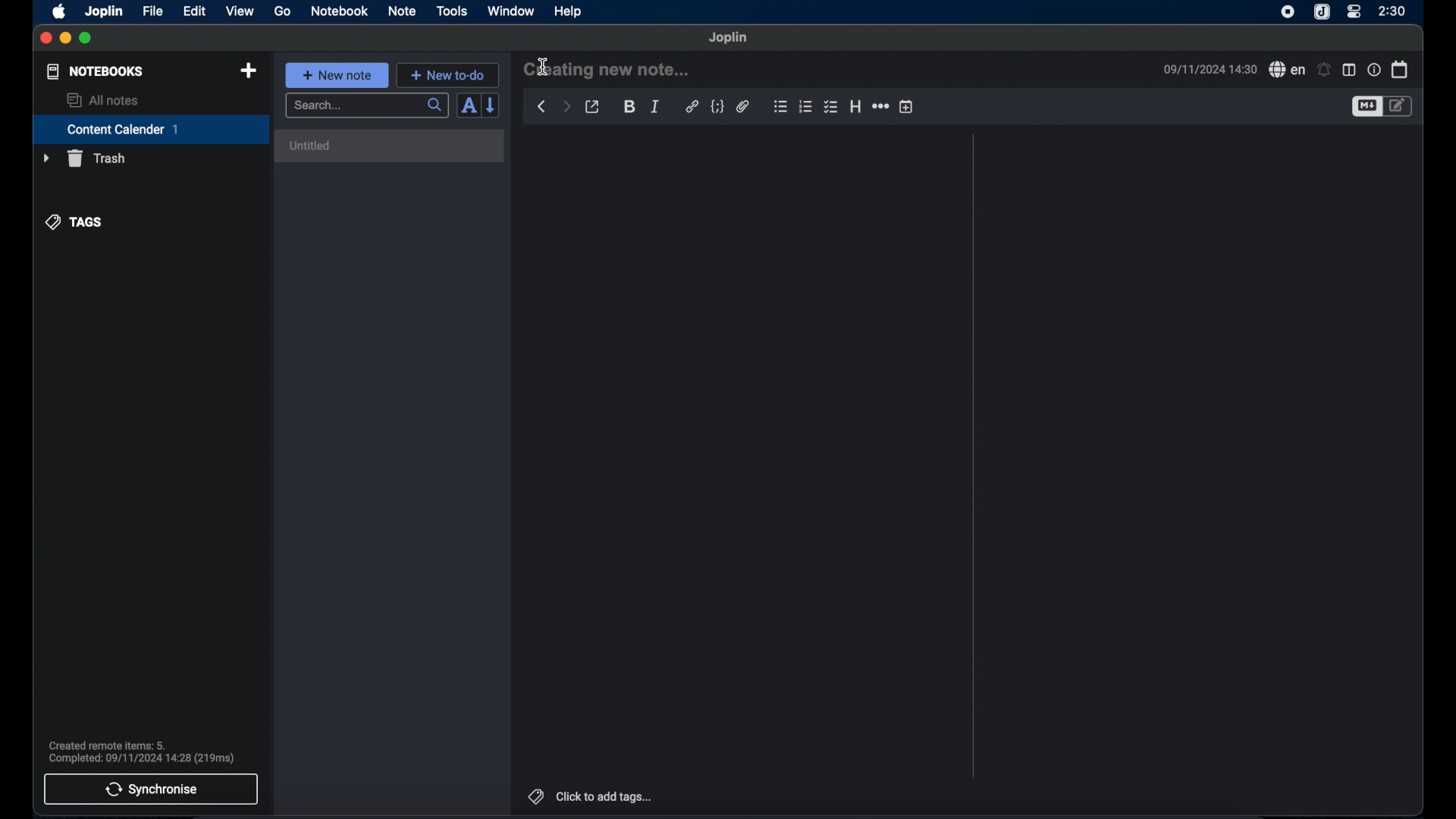 This screenshot has height=819, width=1456. I want to click on Joplin, so click(729, 38).